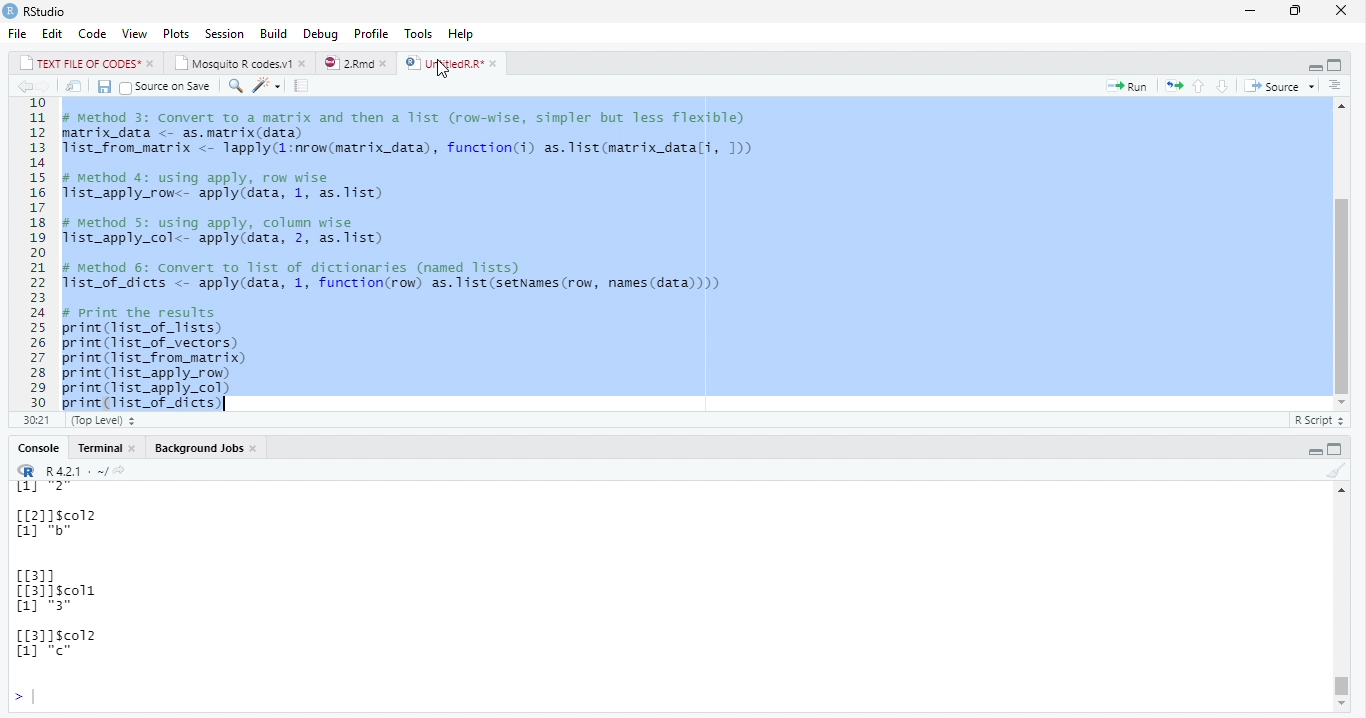  What do you see at coordinates (103, 87) in the screenshot?
I see `Save` at bounding box center [103, 87].